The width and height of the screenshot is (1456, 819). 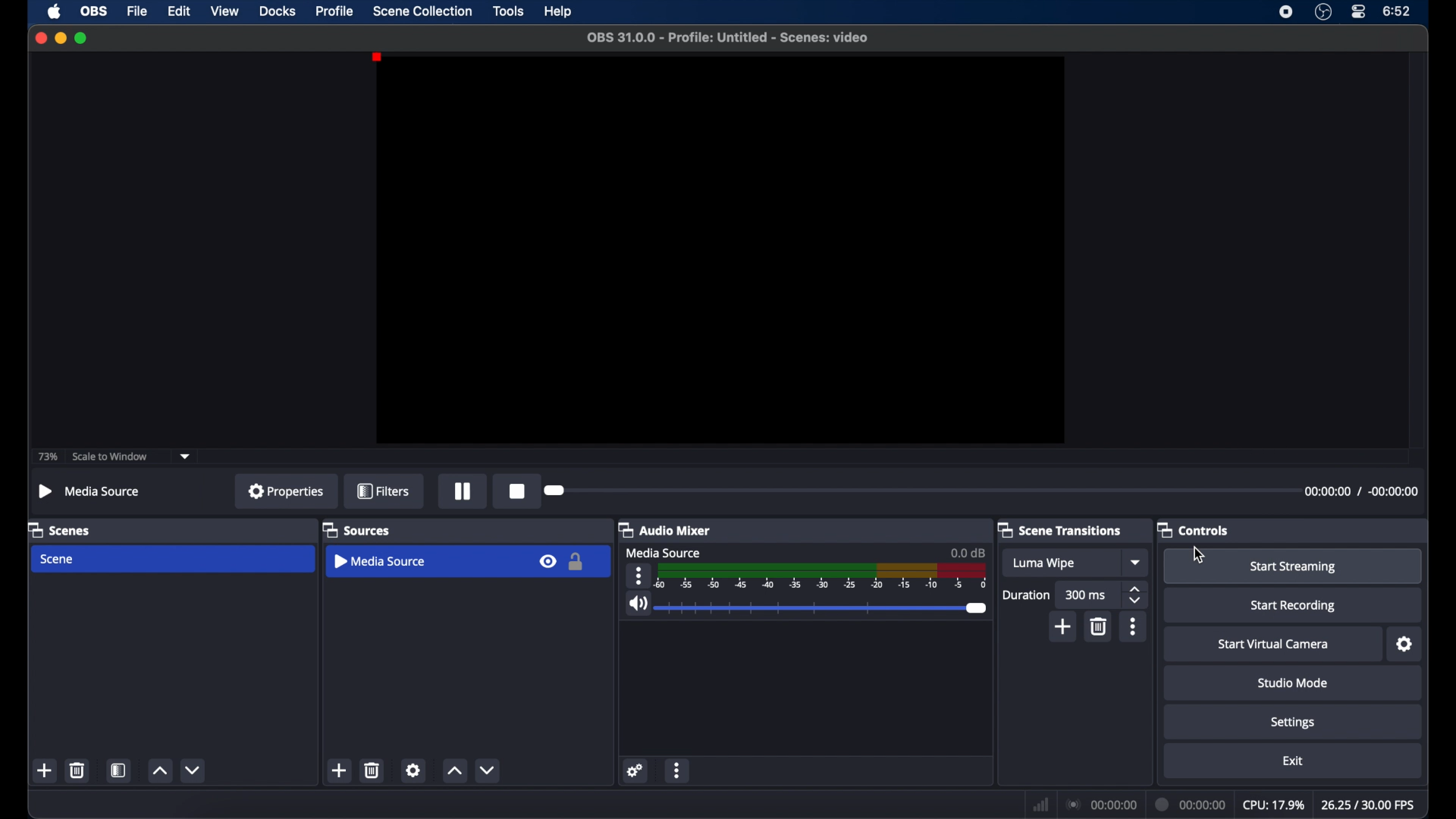 I want to click on mediasource, so click(x=89, y=491).